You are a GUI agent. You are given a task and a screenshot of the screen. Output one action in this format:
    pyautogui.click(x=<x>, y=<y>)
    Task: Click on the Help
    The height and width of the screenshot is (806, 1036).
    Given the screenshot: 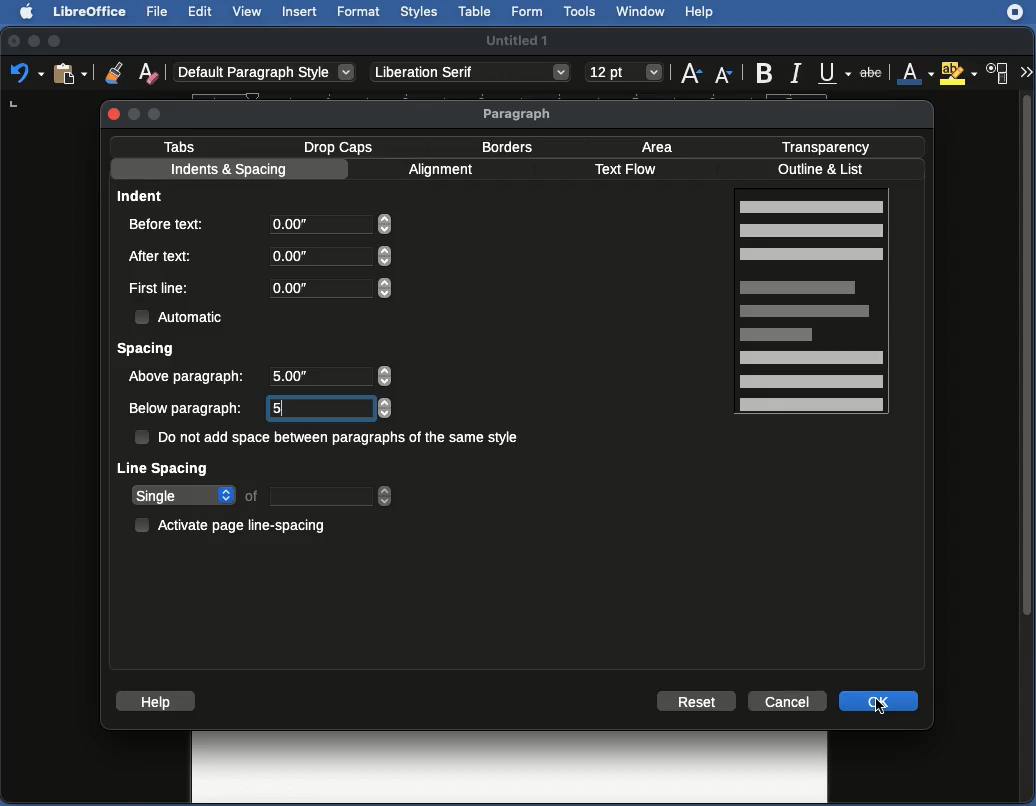 What is the action you would take?
    pyautogui.click(x=155, y=701)
    